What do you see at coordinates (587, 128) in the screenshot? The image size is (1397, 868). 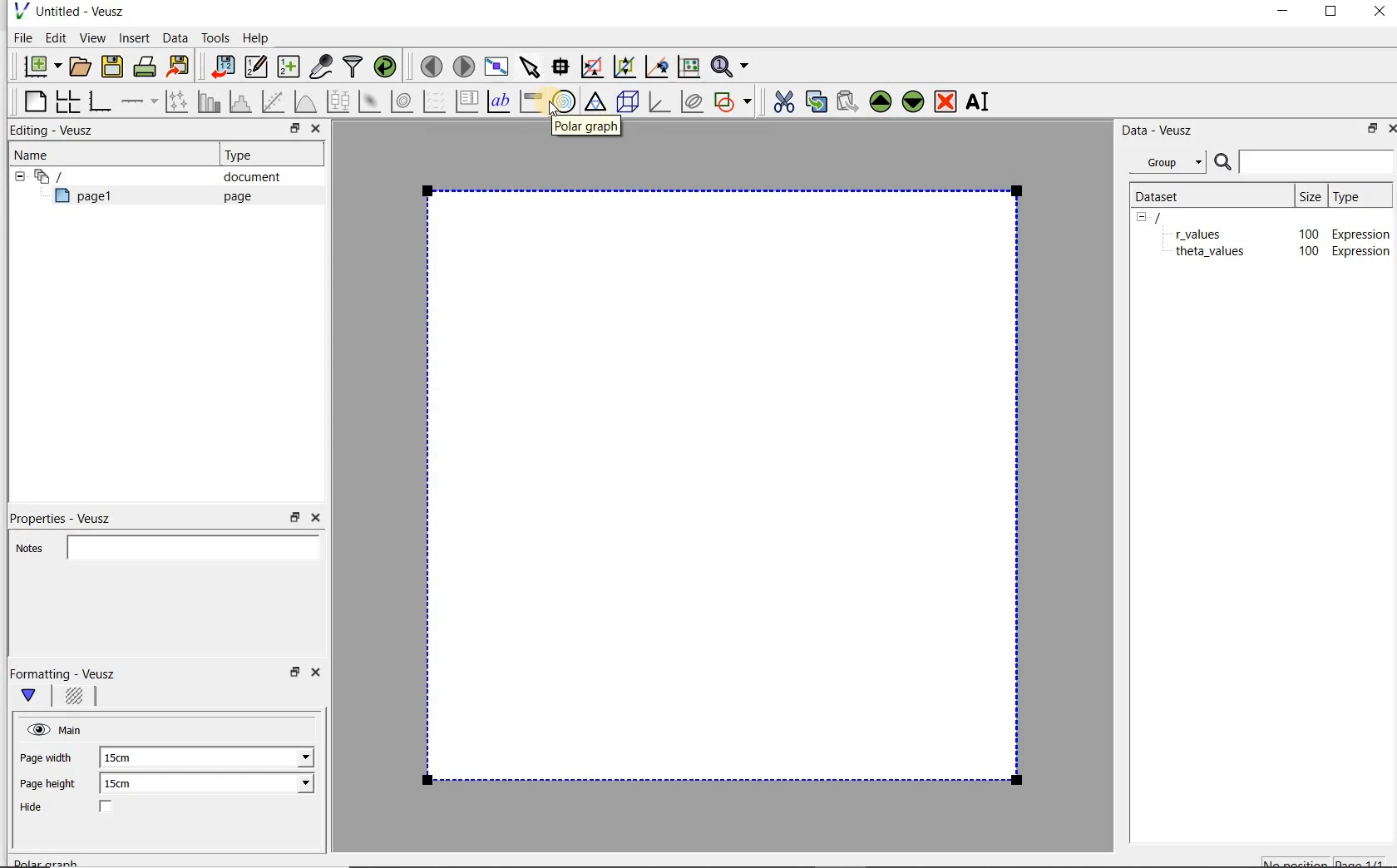 I see `Polar graph` at bounding box center [587, 128].